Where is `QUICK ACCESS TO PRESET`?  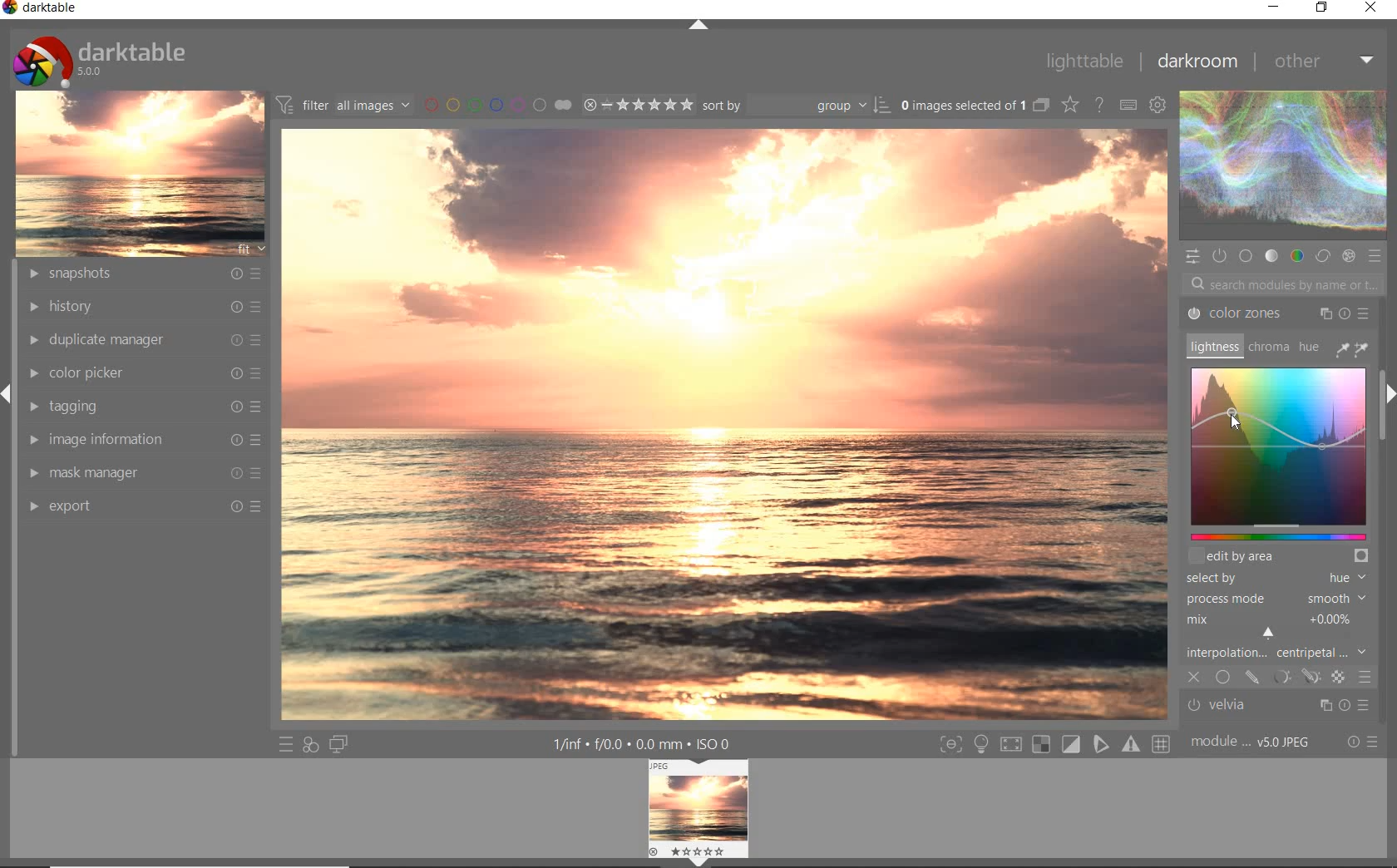 QUICK ACCESS TO PRESET is located at coordinates (284, 745).